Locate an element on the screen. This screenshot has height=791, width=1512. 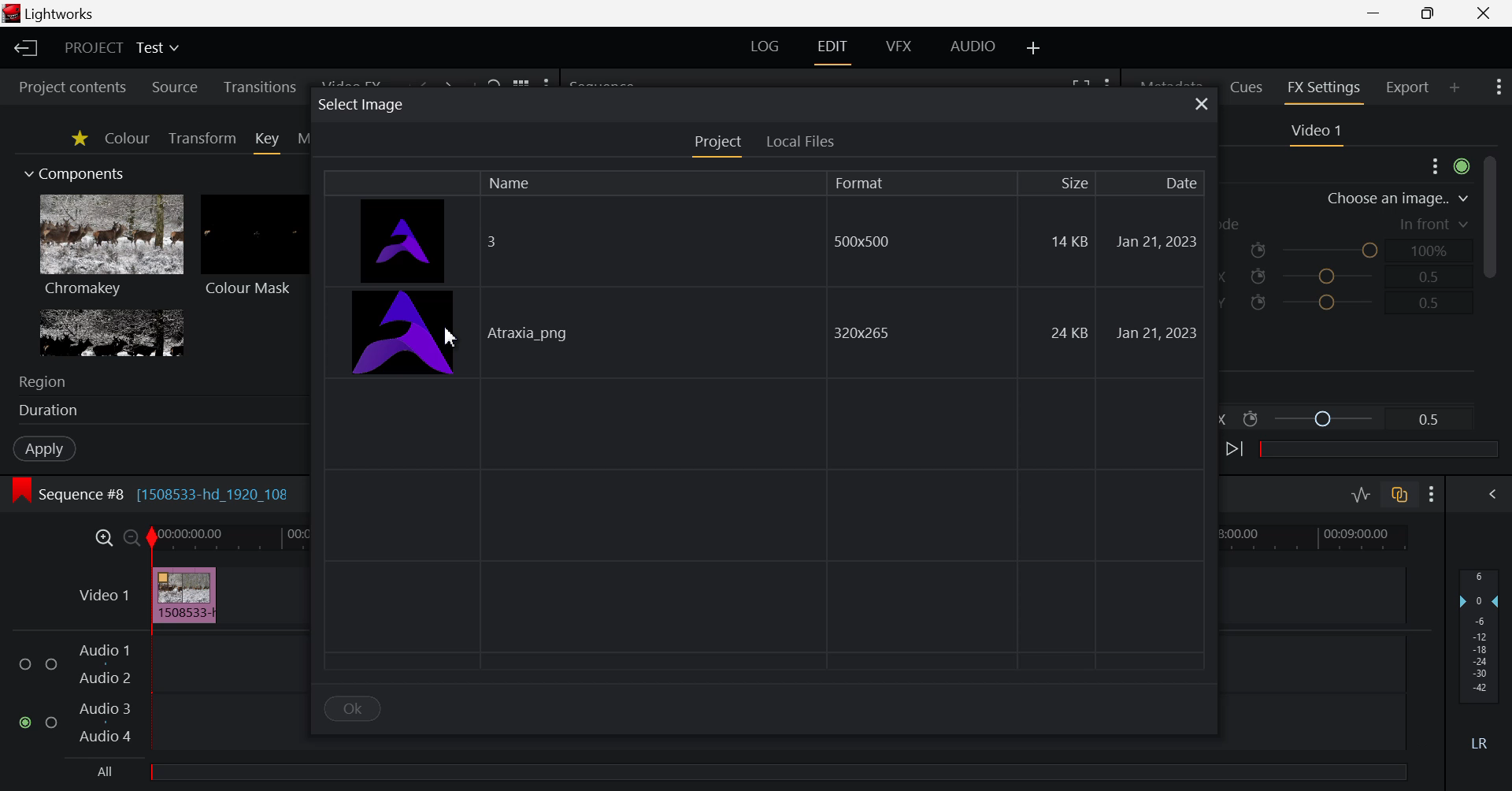
Show Settings is located at coordinates (1498, 87).